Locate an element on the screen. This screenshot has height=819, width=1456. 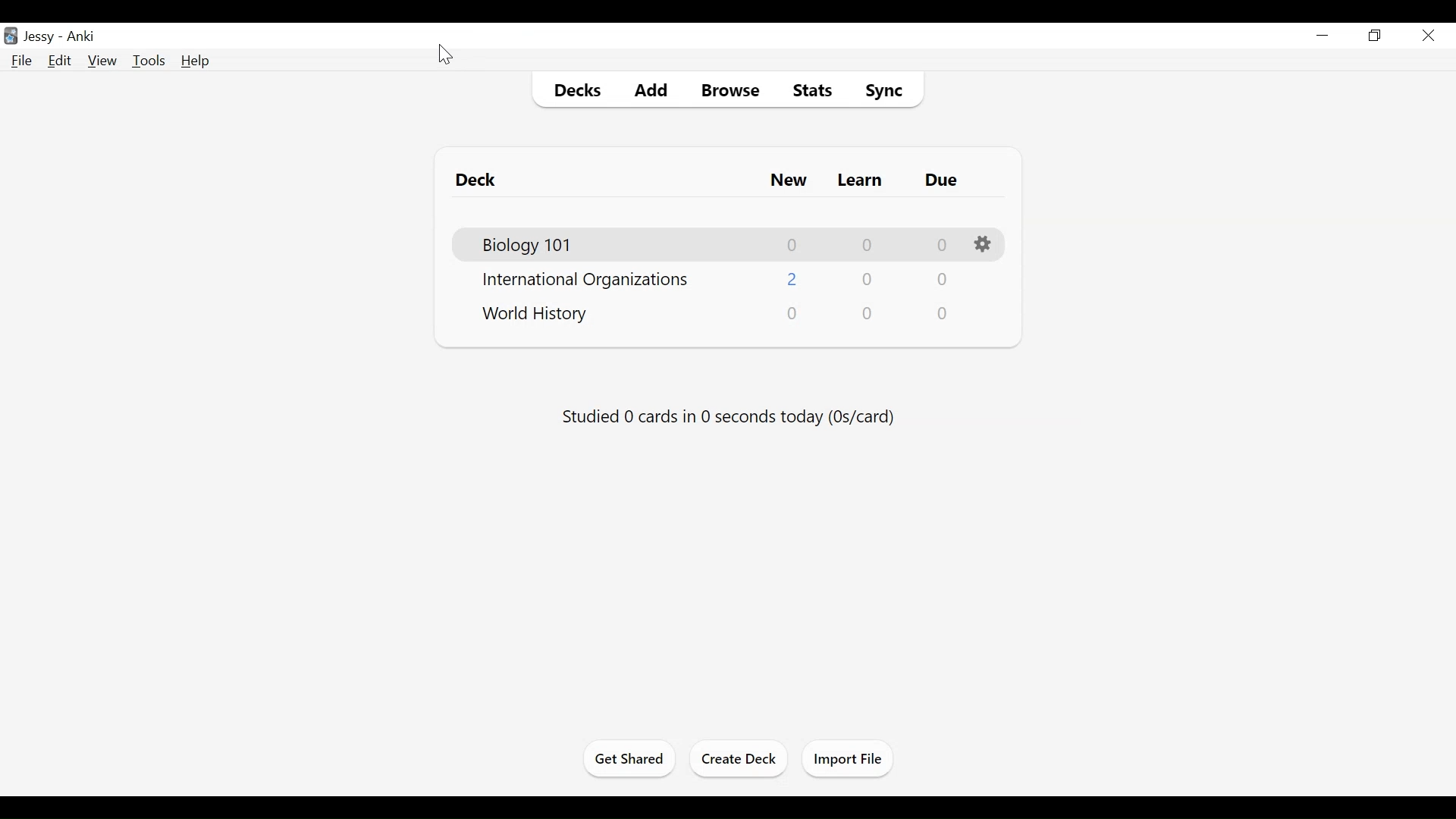
Learn Card is located at coordinates (861, 179).